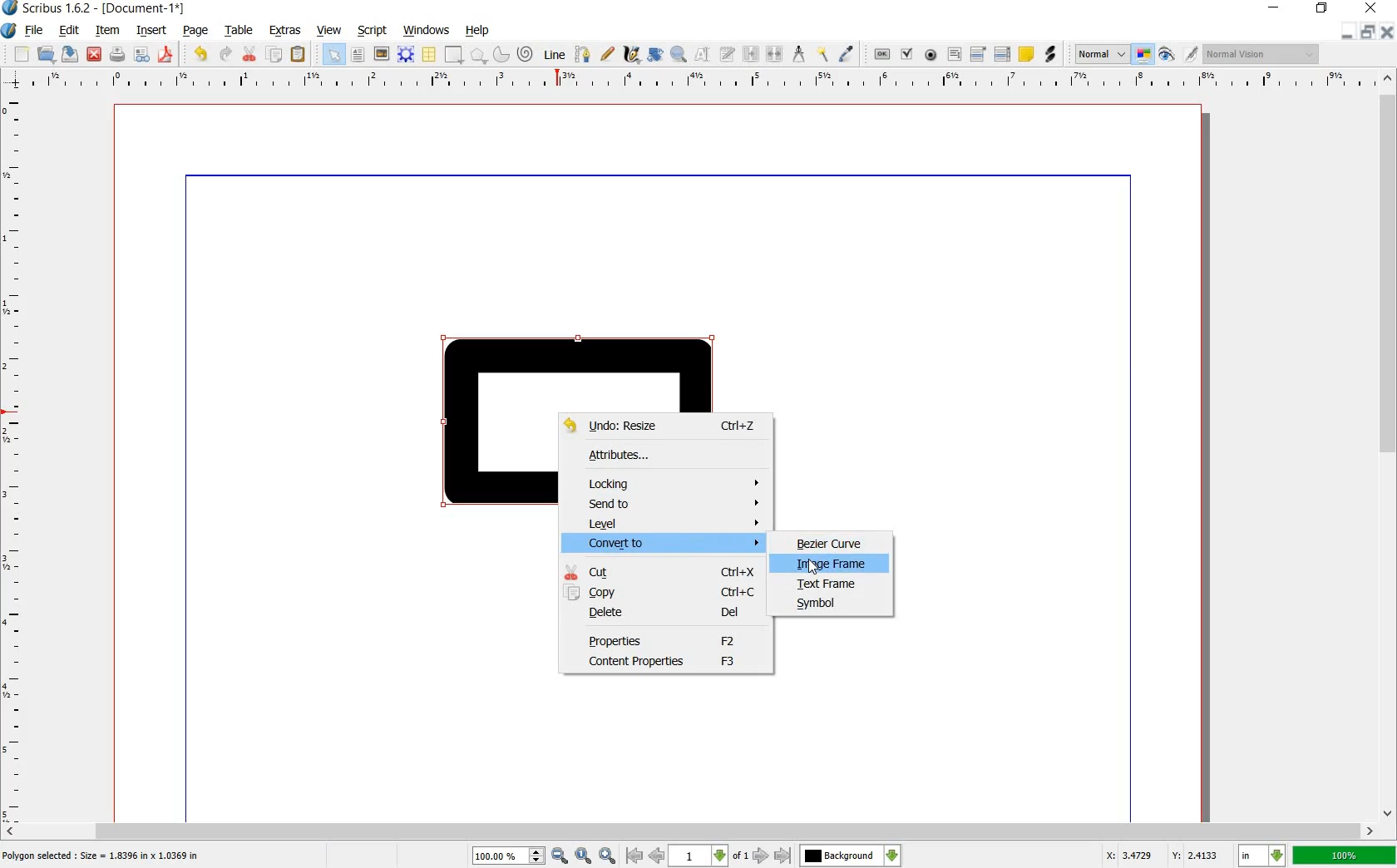 Image resolution: width=1397 pixels, height=868 pixels. Describe the element at coordinates (932, 55) in the screenshot. I see `pdf radio button` at that location.